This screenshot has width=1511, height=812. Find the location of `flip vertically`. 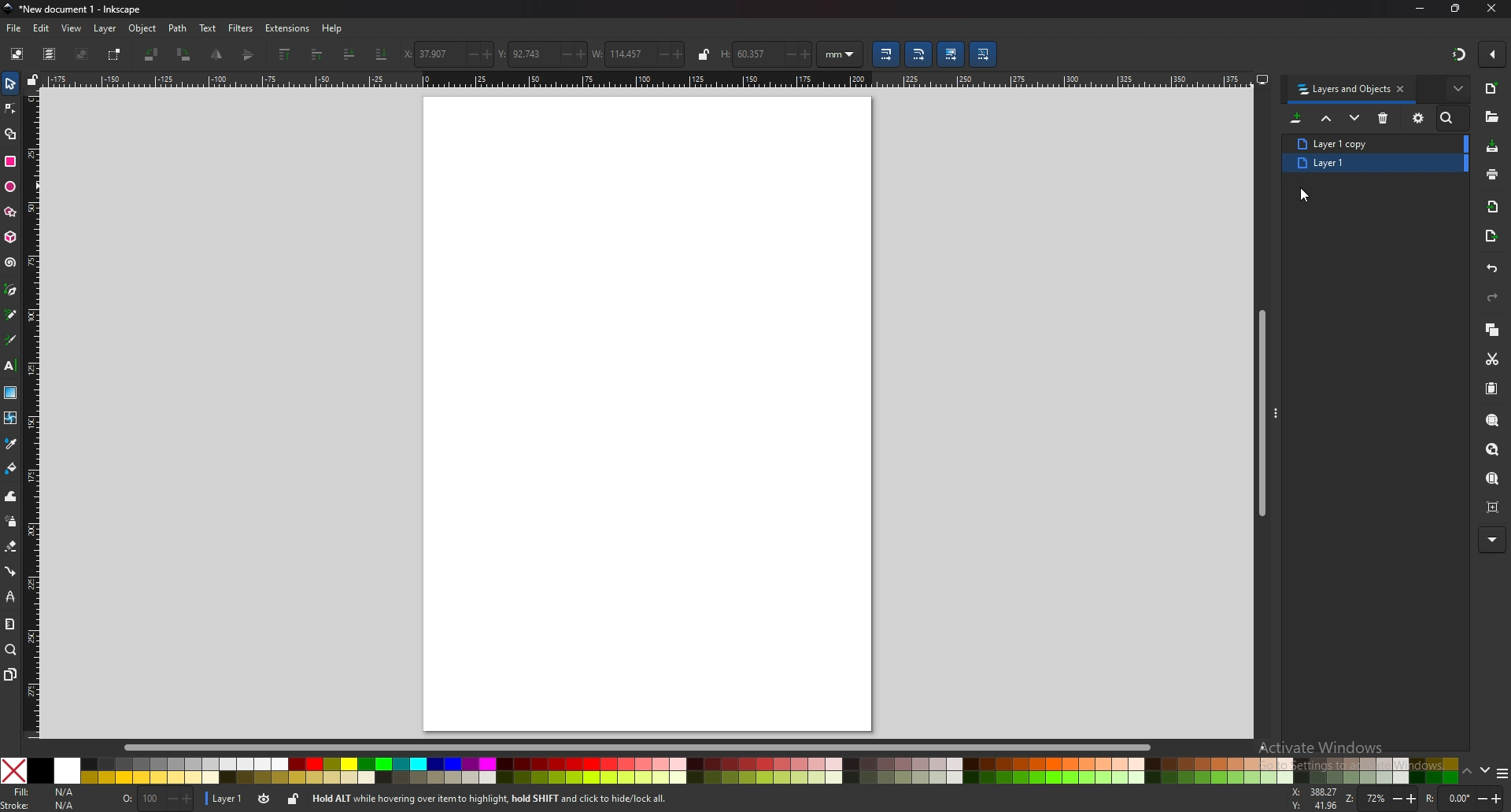

flip vertically is located at coordinates (218, 54).